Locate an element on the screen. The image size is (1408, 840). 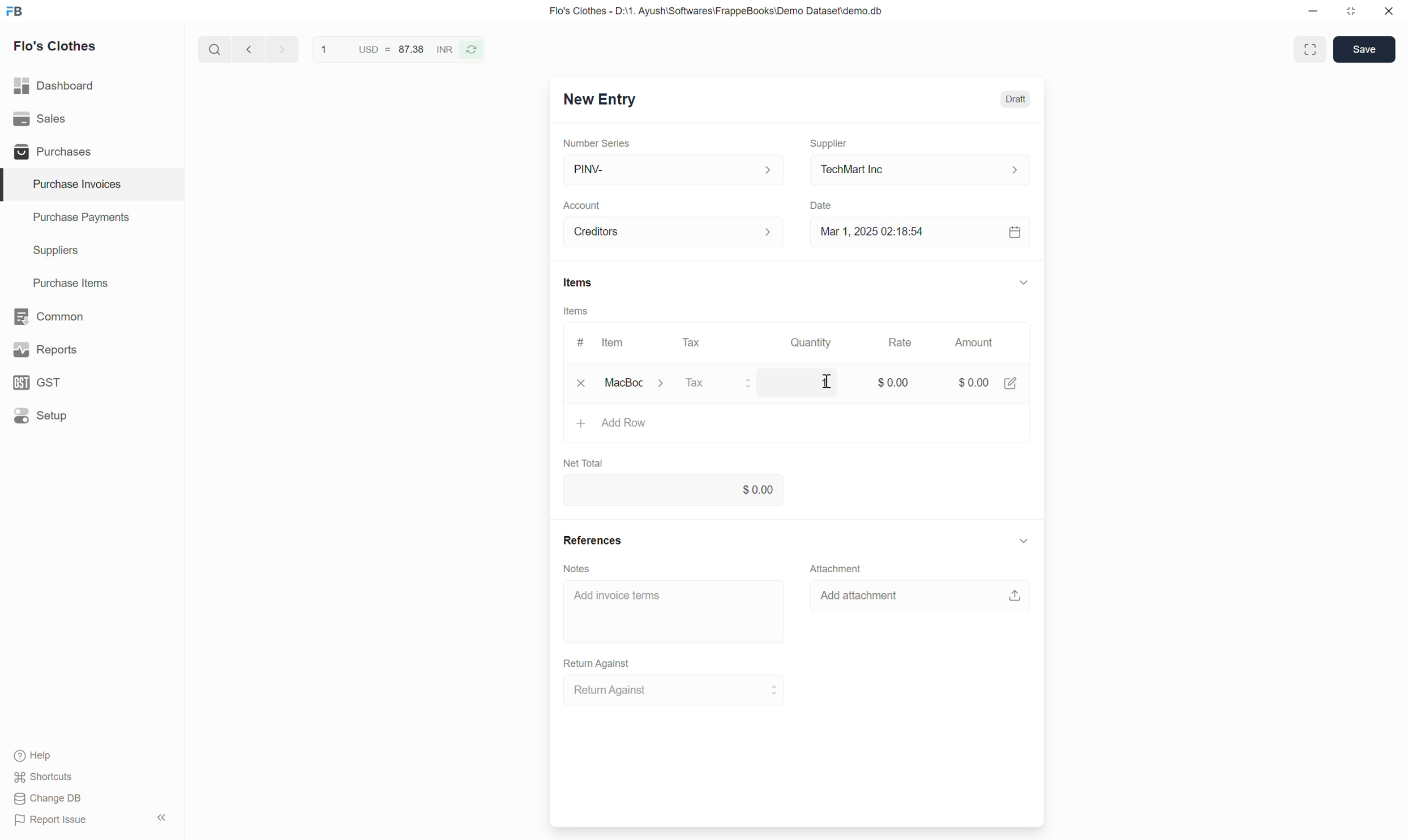
Mar 1, 2025 02:18:54 is located at coordinates (921, 232).